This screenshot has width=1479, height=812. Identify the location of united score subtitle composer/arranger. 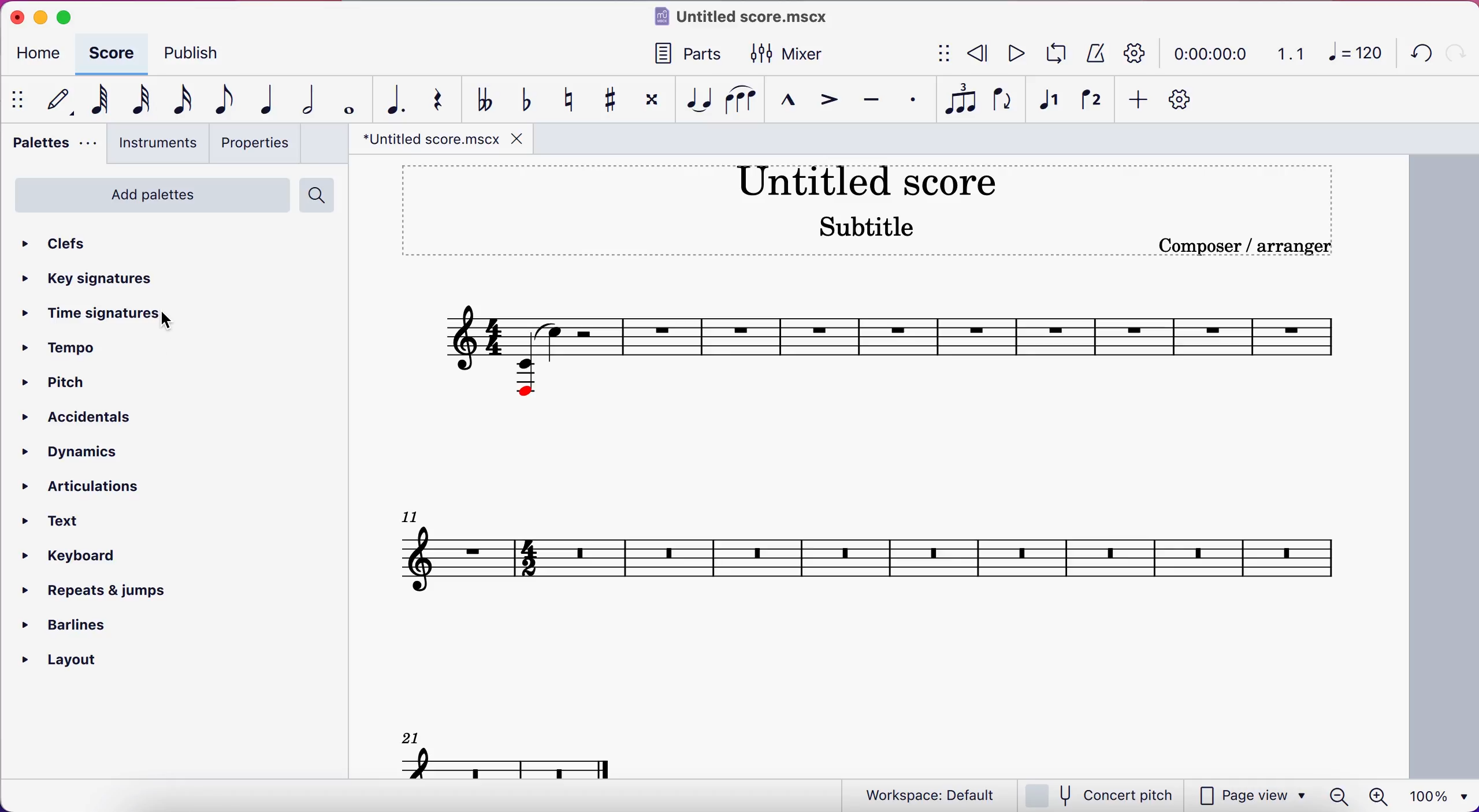
(876, 214).